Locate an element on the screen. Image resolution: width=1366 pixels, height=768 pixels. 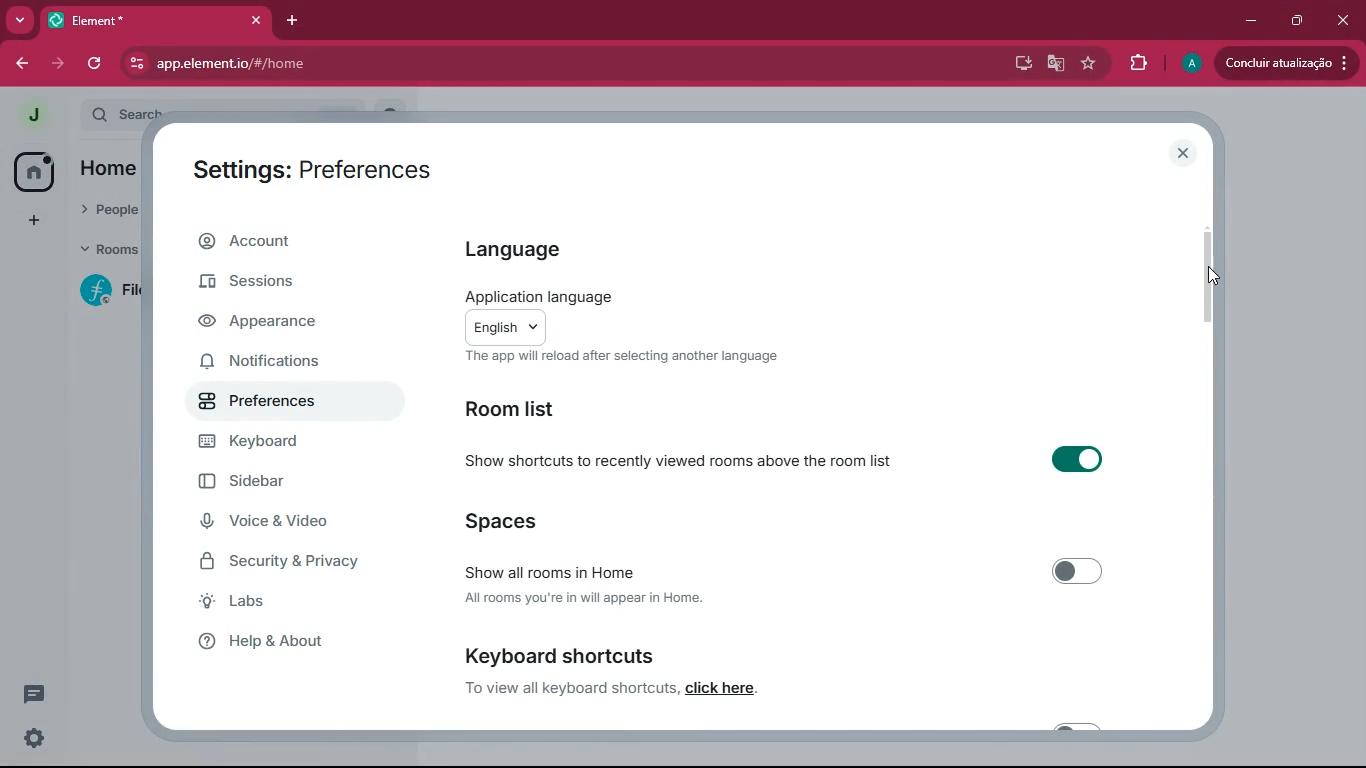
keyboard shortcut is located at coordinates (613, 653).